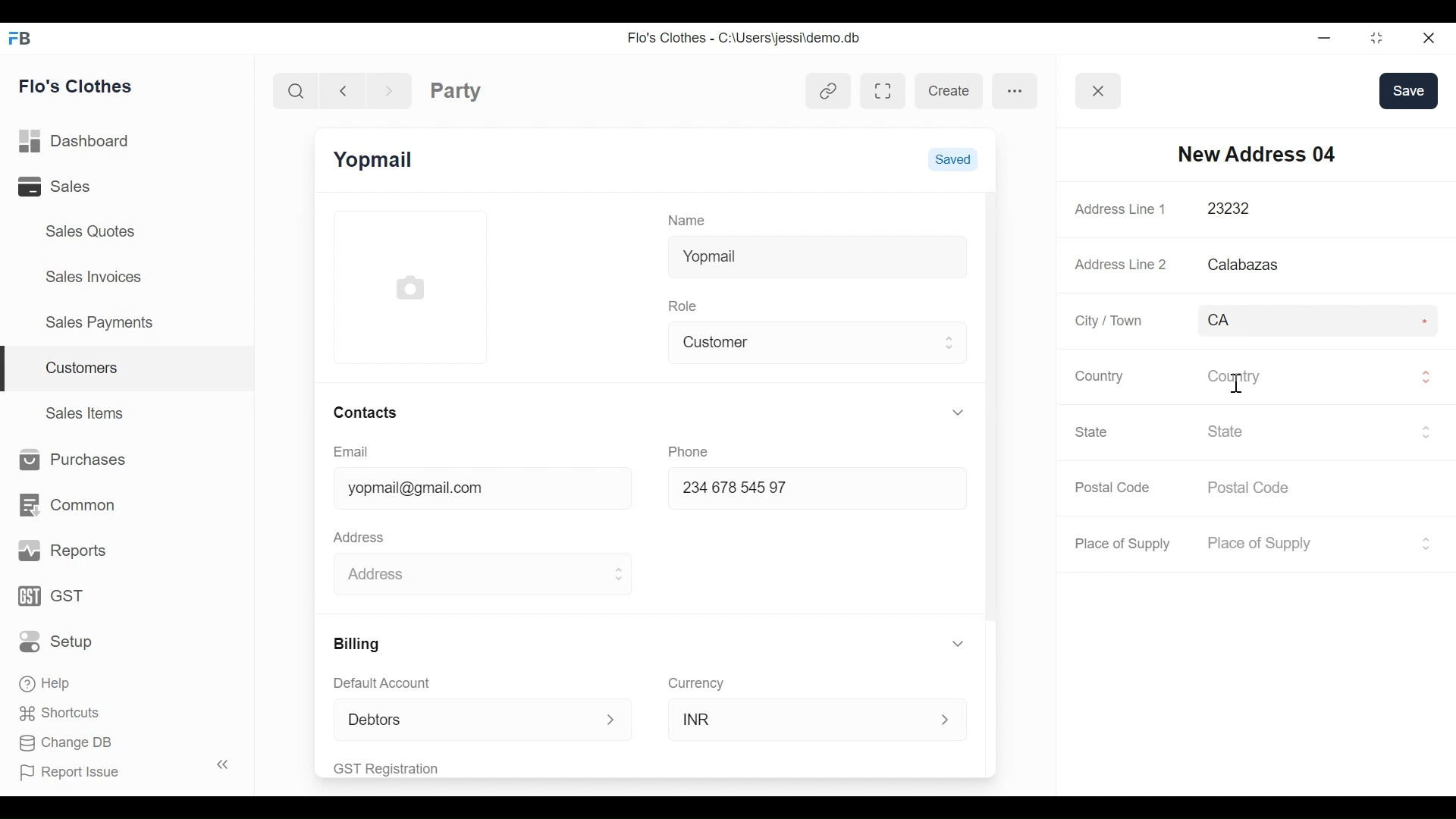  Describe the element at coordinates (1308, 431) in the screenshot. I see `State` at that location.